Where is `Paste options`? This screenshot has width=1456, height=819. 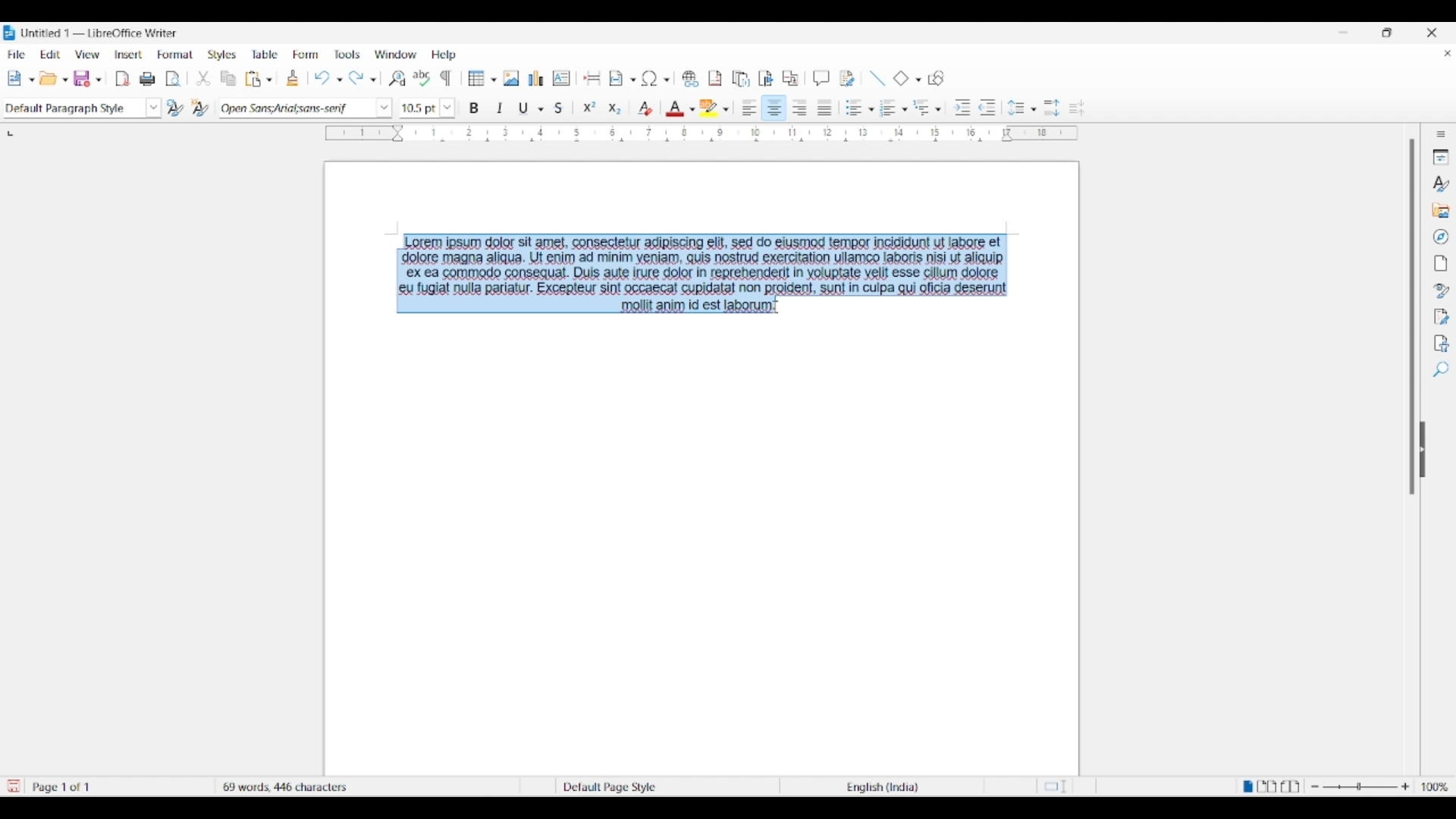
Paste options is located at coordinates (269, 79).